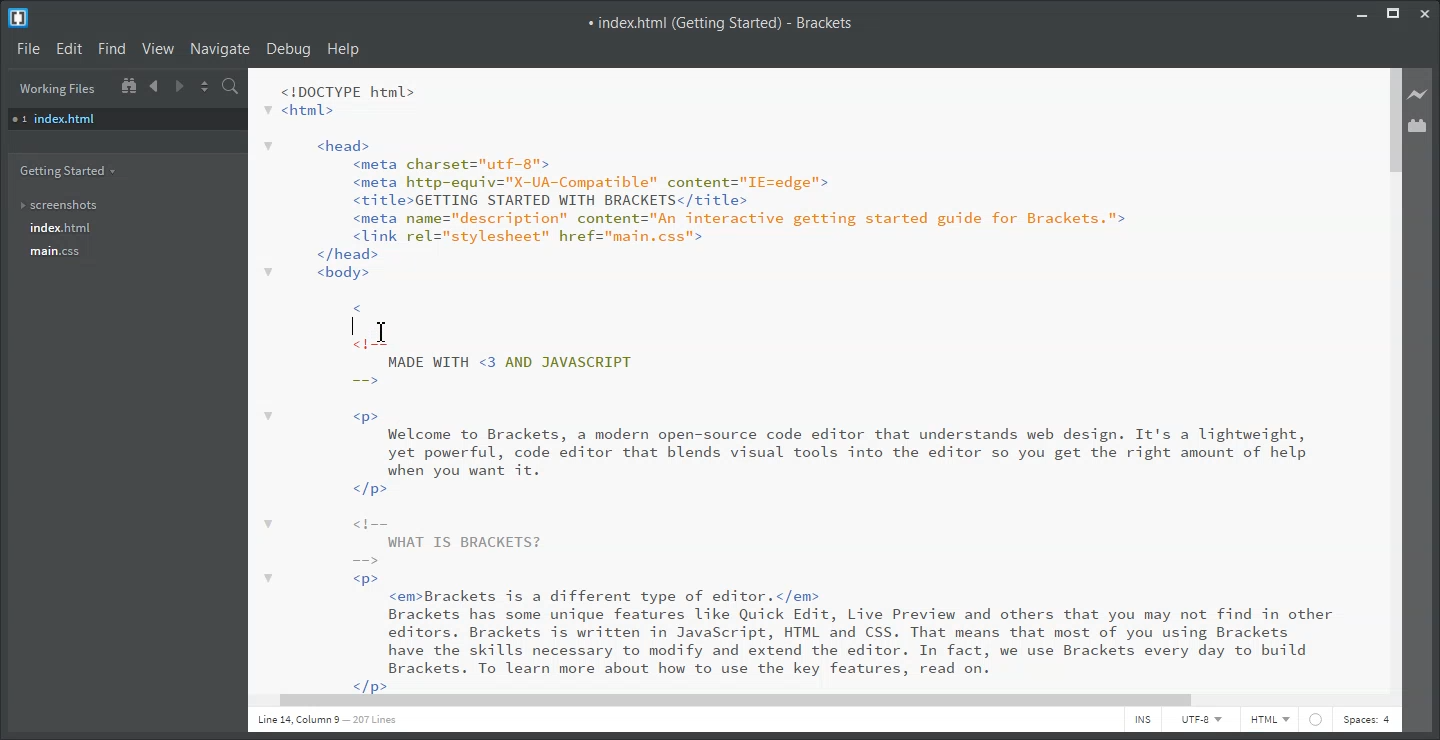 Image resolution: width=1440 pixels, height=740 pixels. I want to click on Text, so click(327, 720).